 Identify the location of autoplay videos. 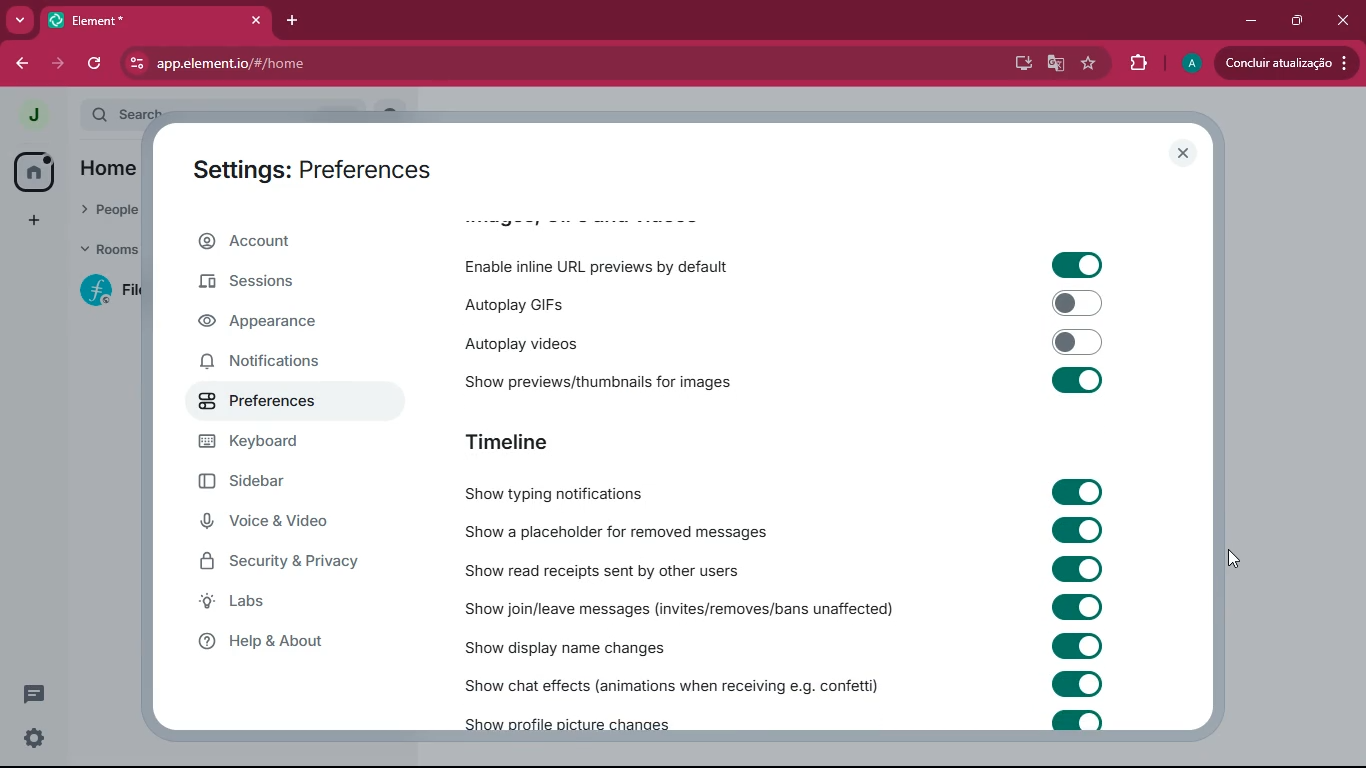
(557, 344).